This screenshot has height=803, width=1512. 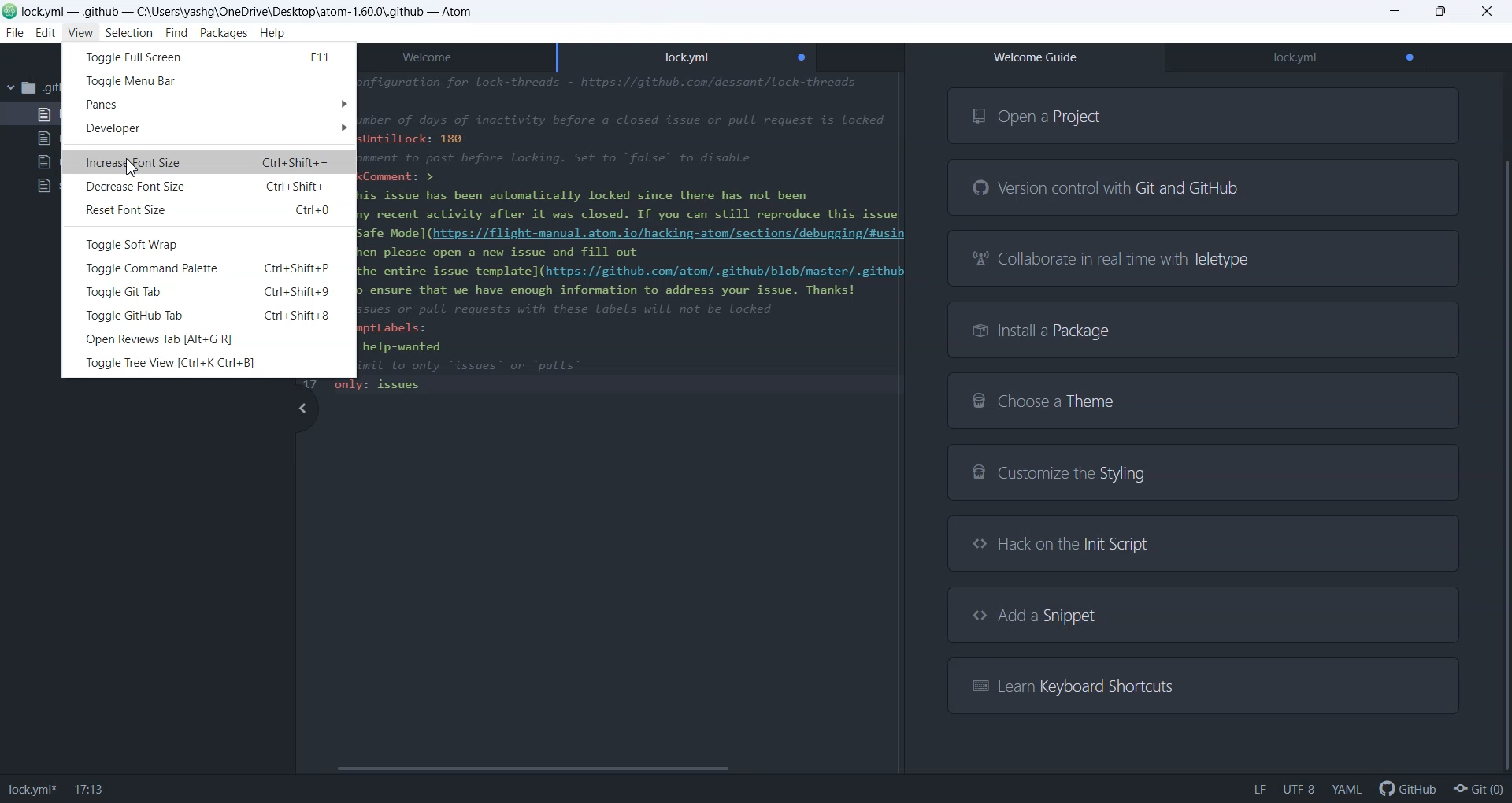 I want to click on Find, so click(x=176, y=34).